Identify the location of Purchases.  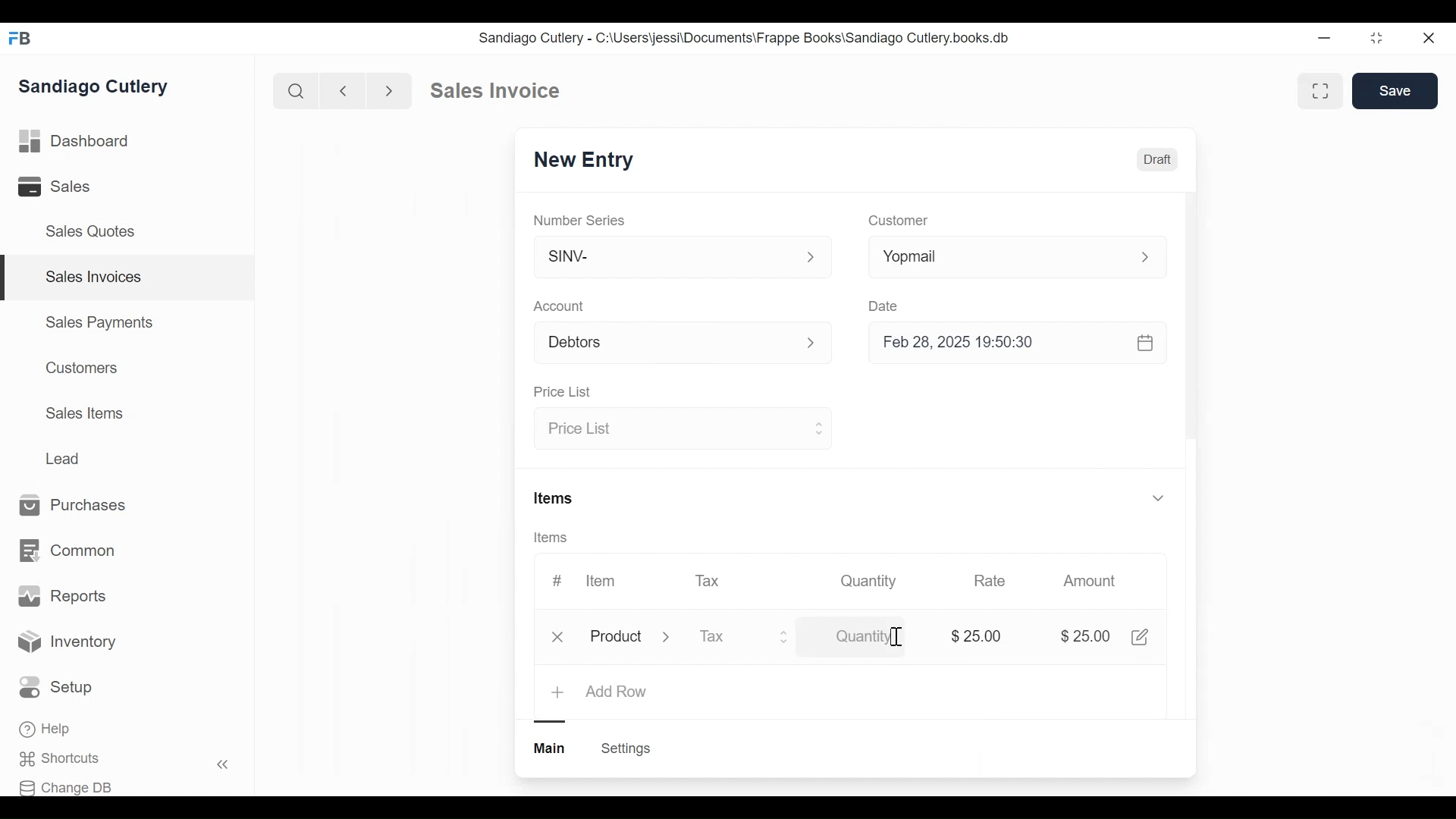
(80, 506).